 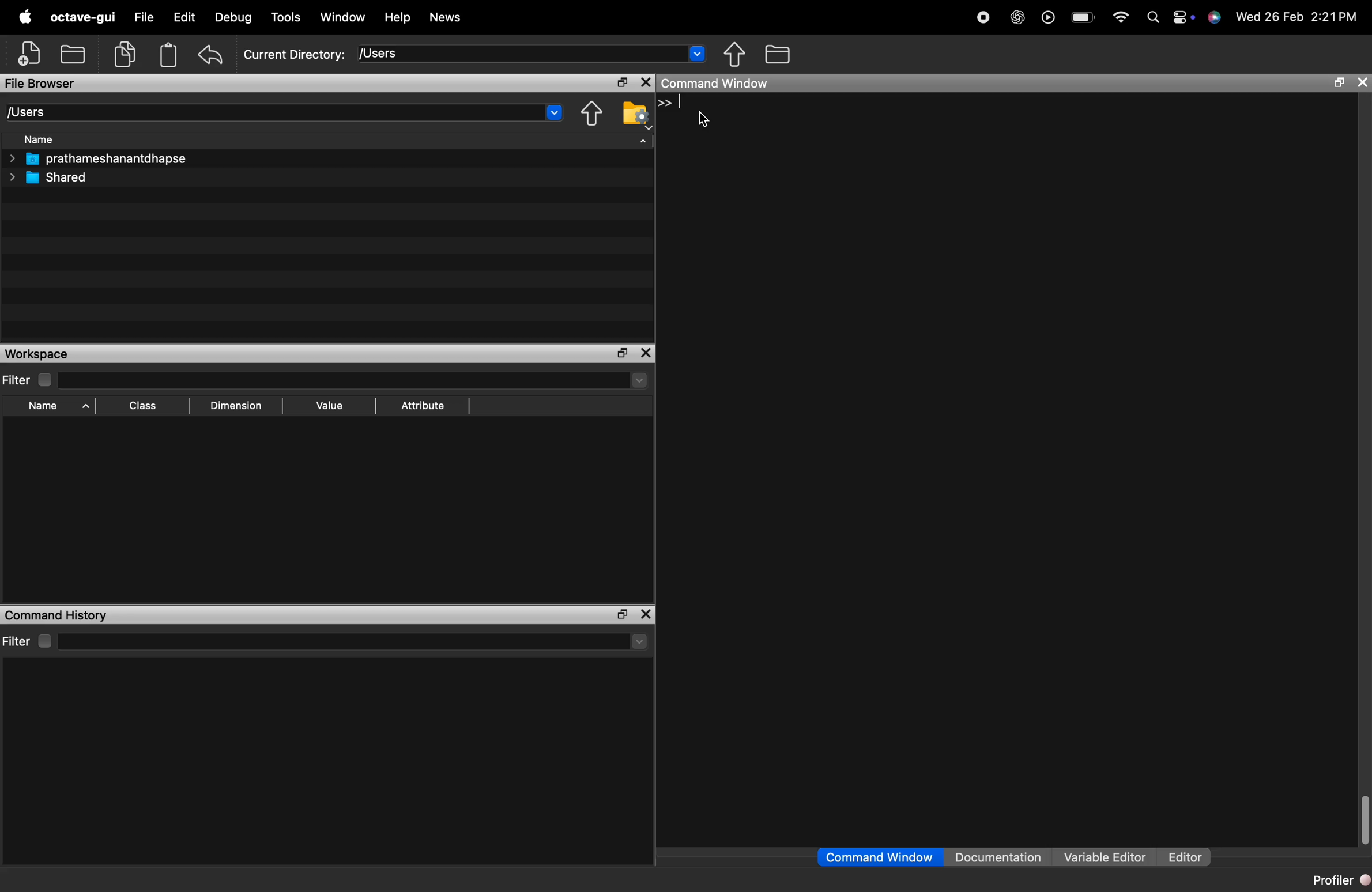 What do you see at coordinates (639, 382) in the screenshot?
I see `dropdown` at bounding box center [639, 382].